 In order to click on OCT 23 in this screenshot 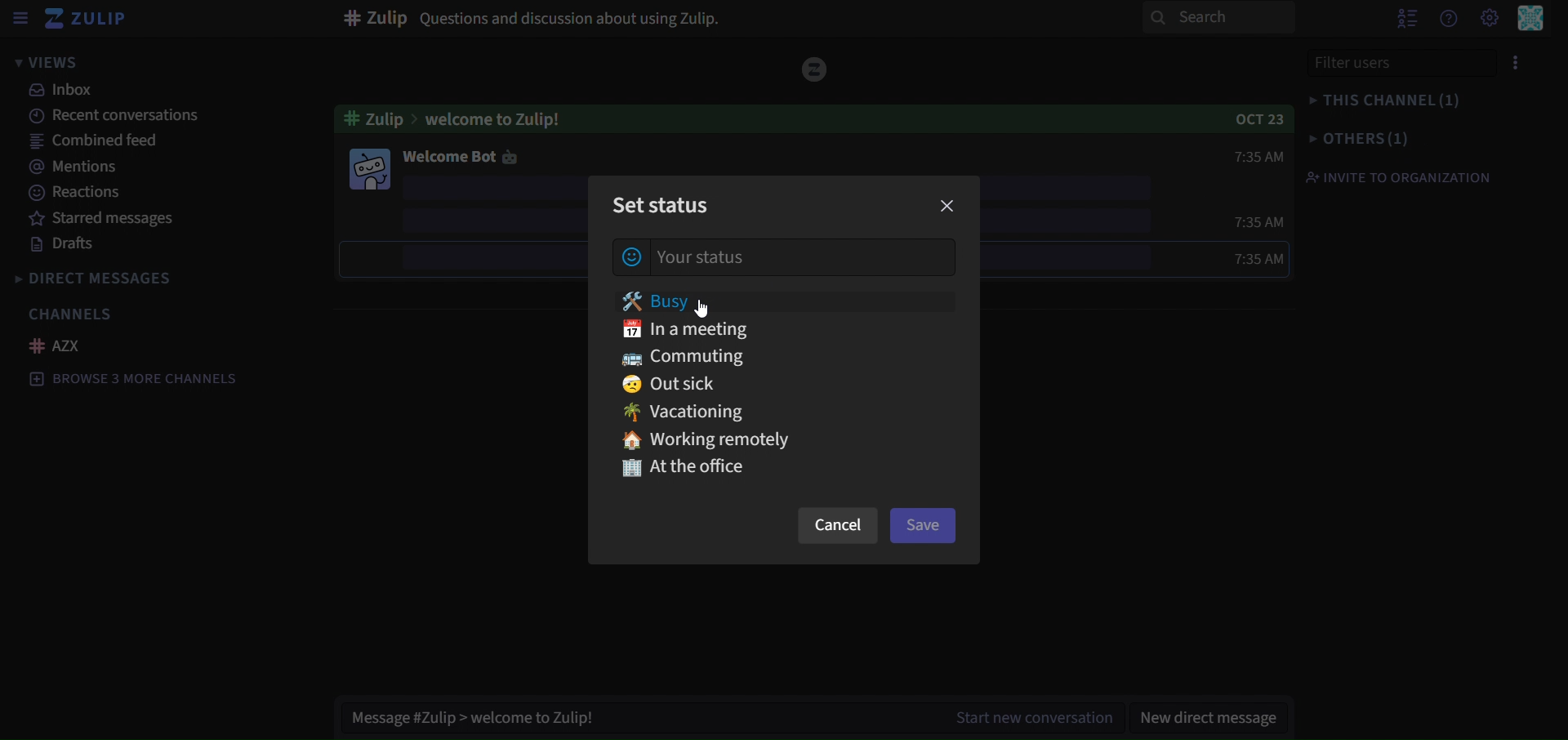, I will do `click(1254, 118)`.